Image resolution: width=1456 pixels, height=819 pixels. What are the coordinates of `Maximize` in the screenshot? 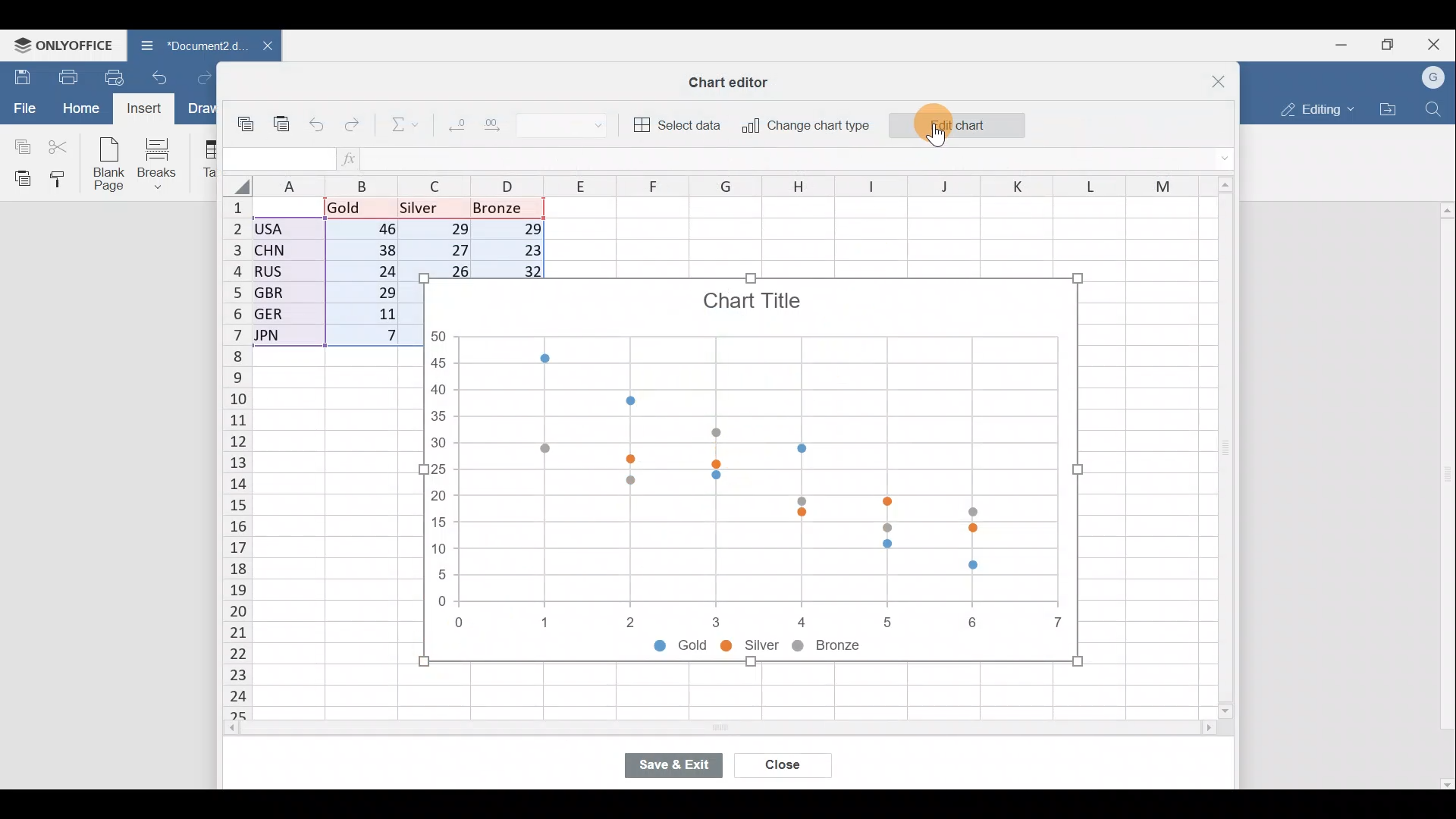 It's located at (1385, 45).